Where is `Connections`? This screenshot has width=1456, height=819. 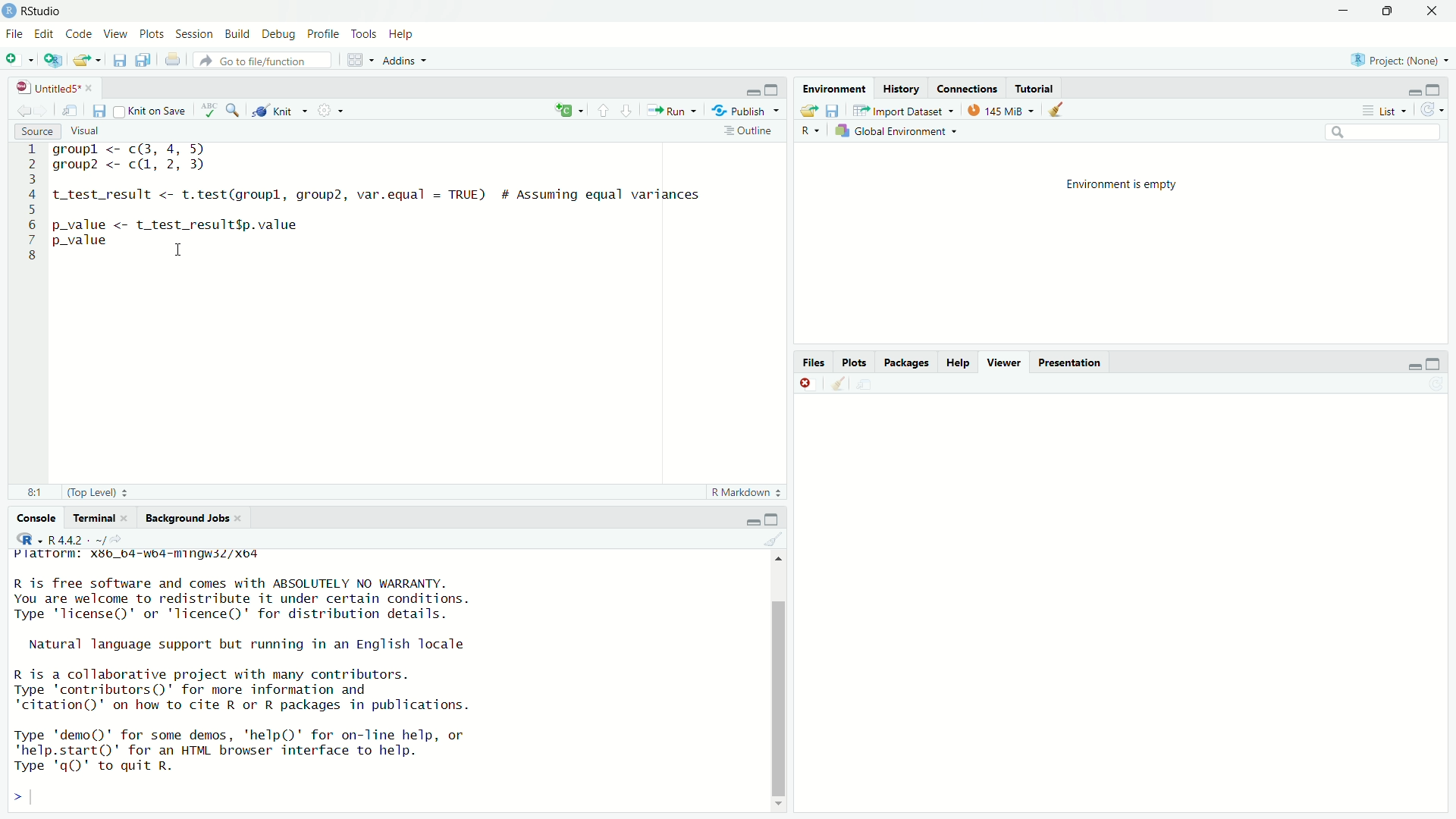
Connections is located at coordinates (967, 88).